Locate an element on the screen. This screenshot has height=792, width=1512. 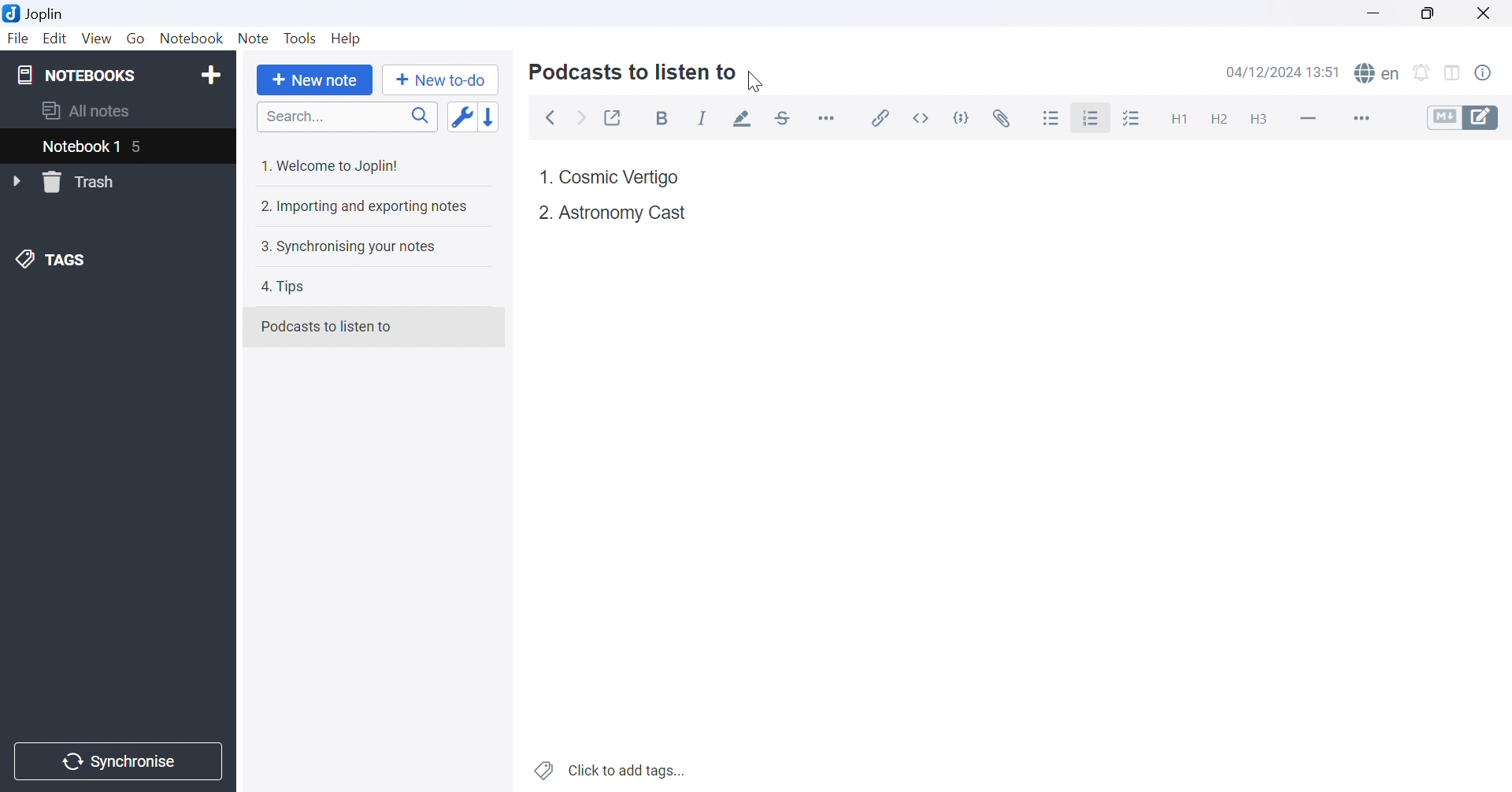
Astronomy Cast is located at coordinates (621, 211).